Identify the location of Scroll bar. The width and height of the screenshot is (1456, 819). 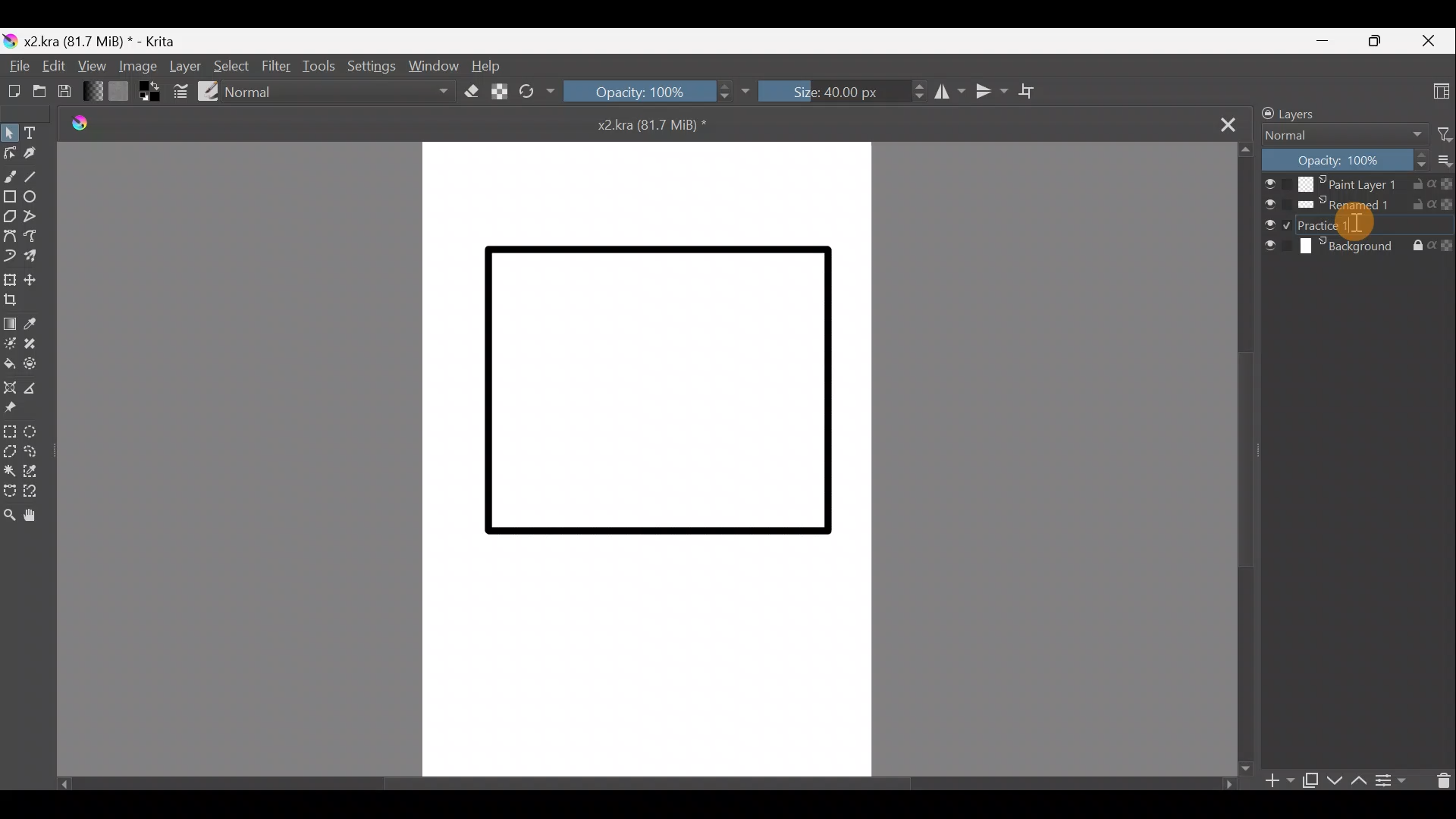
(1239, 457).